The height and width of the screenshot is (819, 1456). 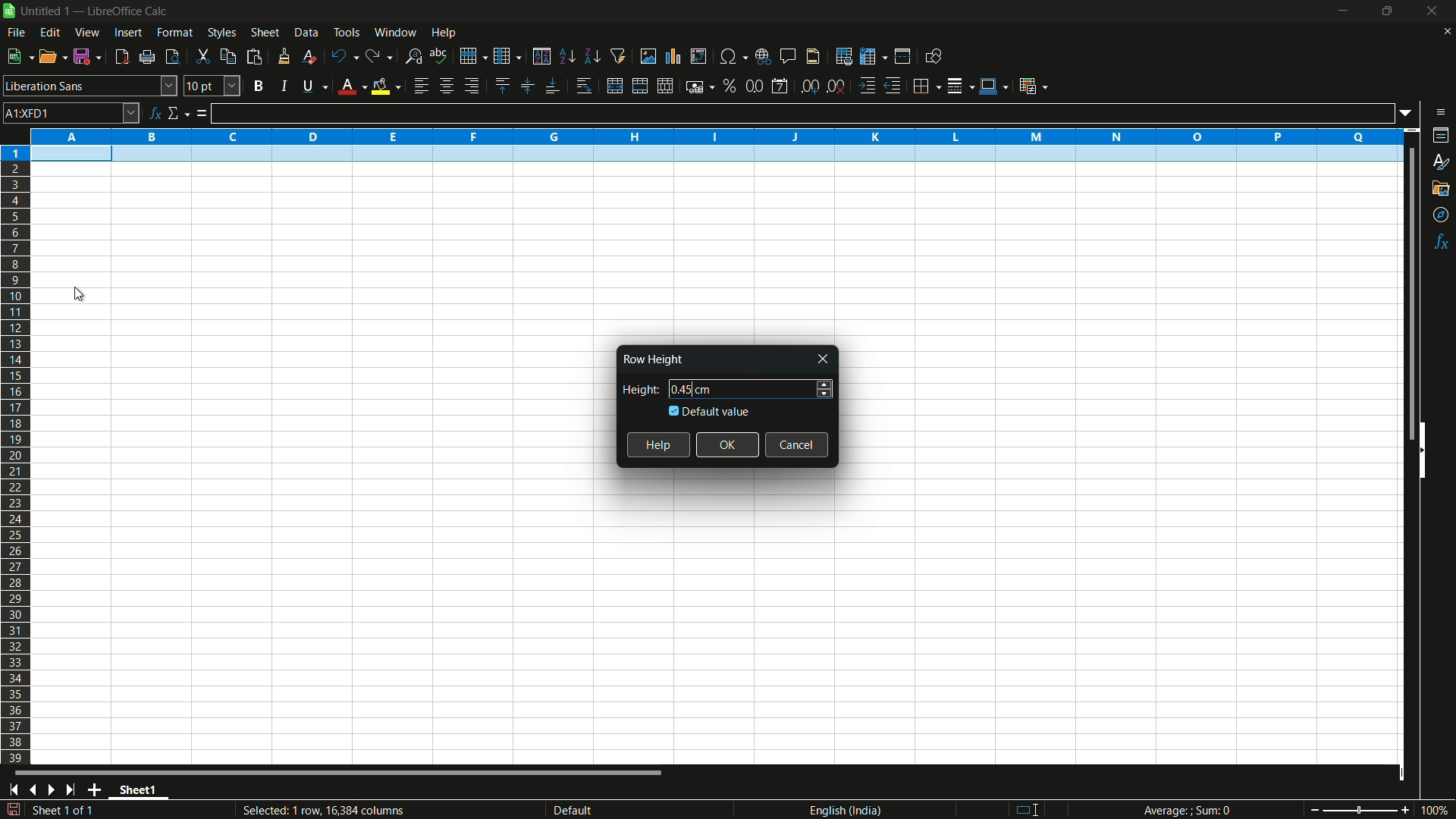 I want to click on show draw functions, so click(x=932, y=56).